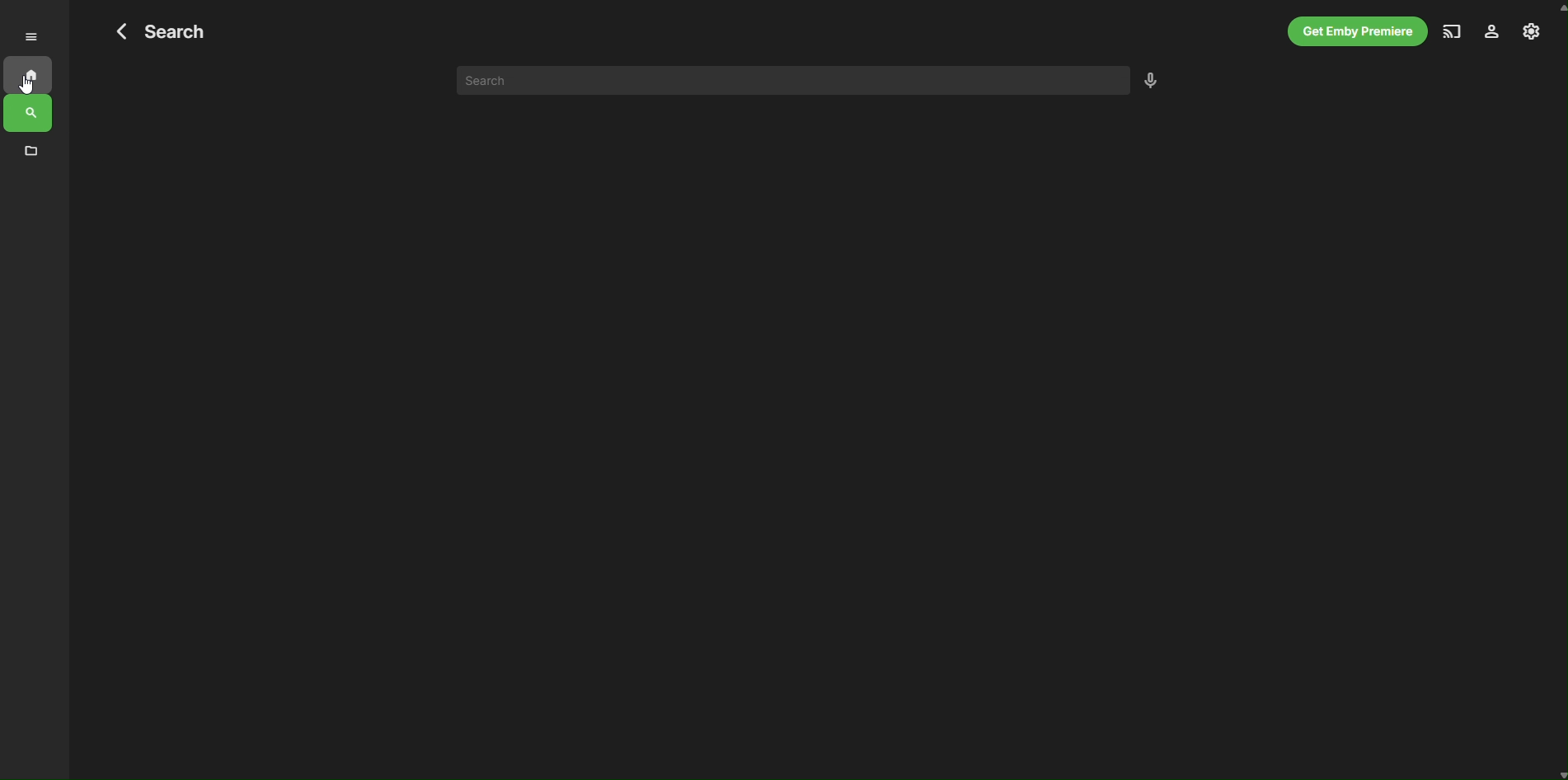 The width and height of the screenshot is (1568, 780). Describe the element at coordinates (32, 80) in the screenshot. I see `Home` at that location.